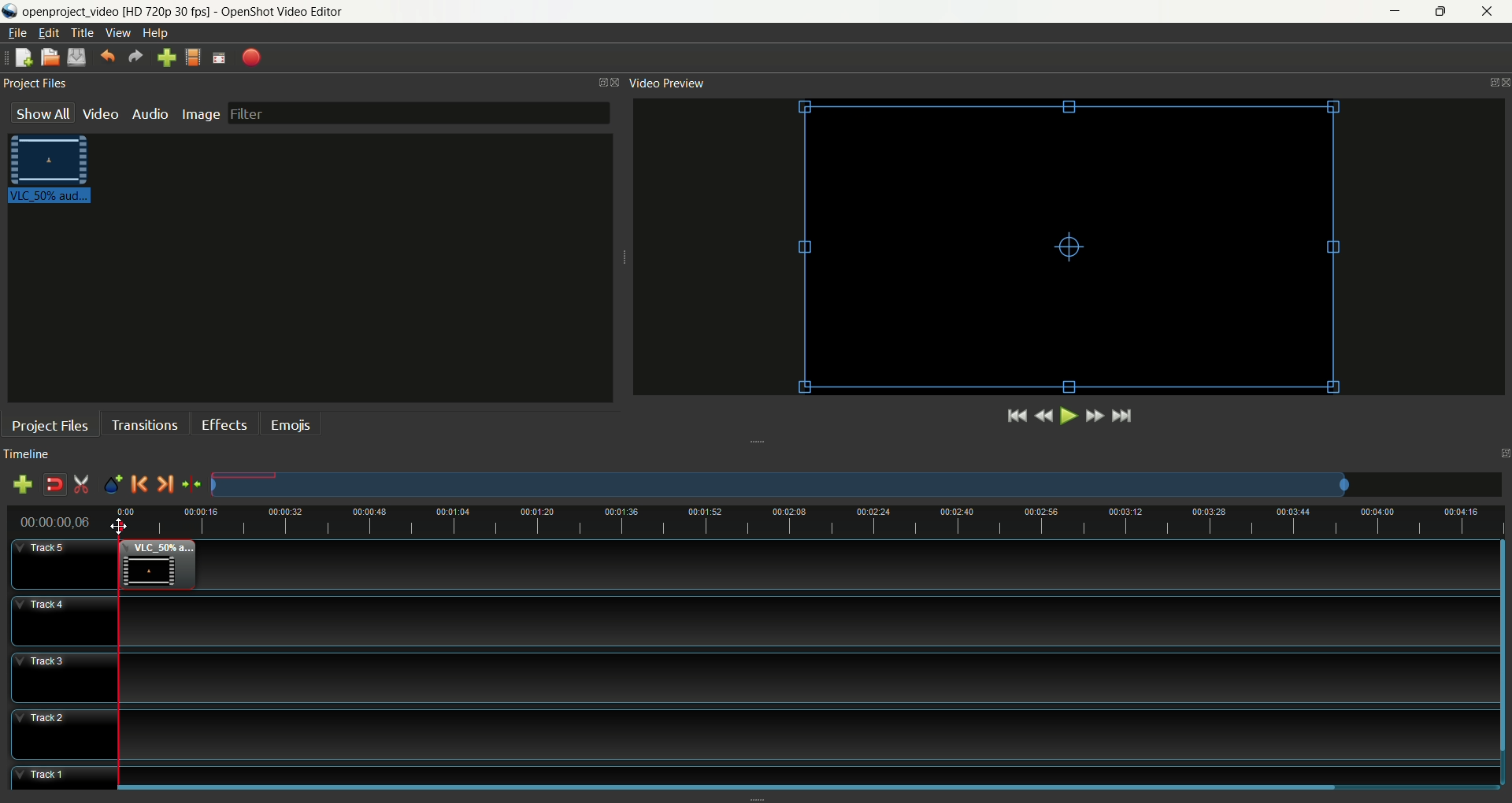 The image size is (1512, 803). I want to click on close, so click(1491, 13).